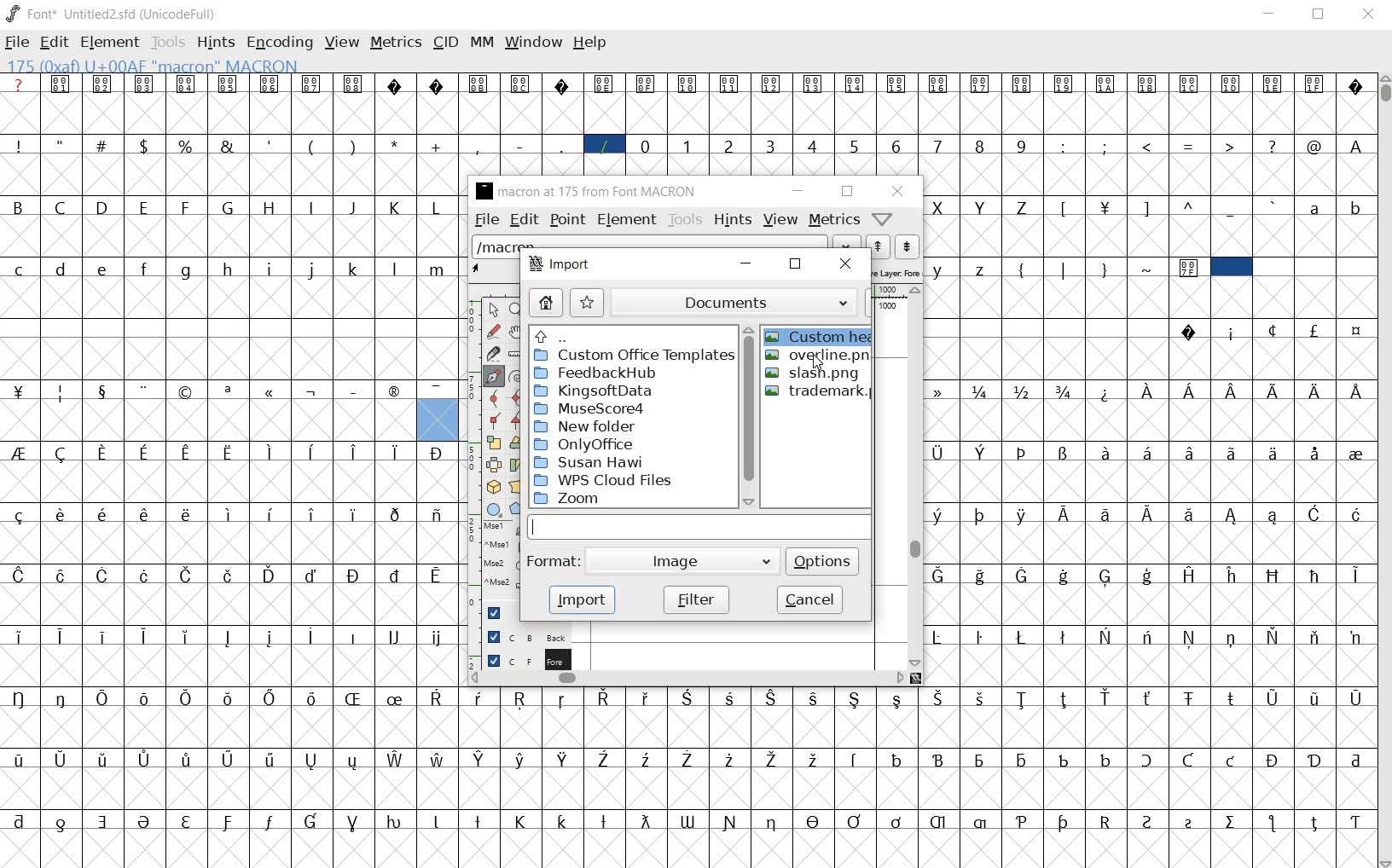  Describe the element at coordinates (270, 391) in the screenshot. I see `Symbol` at that location.